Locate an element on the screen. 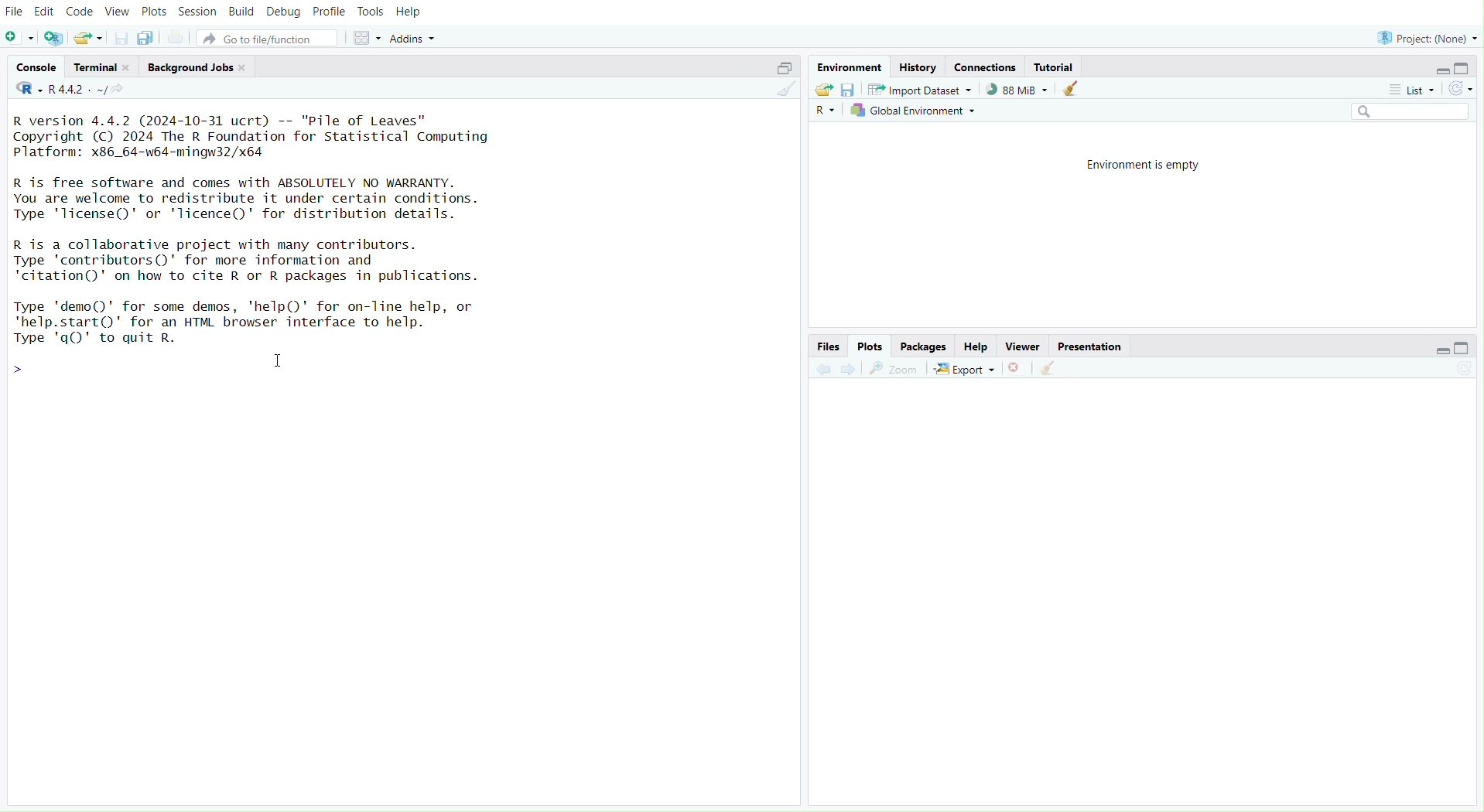  Go back to the previous source location (Ctrl + F9) is located at coordinates (824, 368).